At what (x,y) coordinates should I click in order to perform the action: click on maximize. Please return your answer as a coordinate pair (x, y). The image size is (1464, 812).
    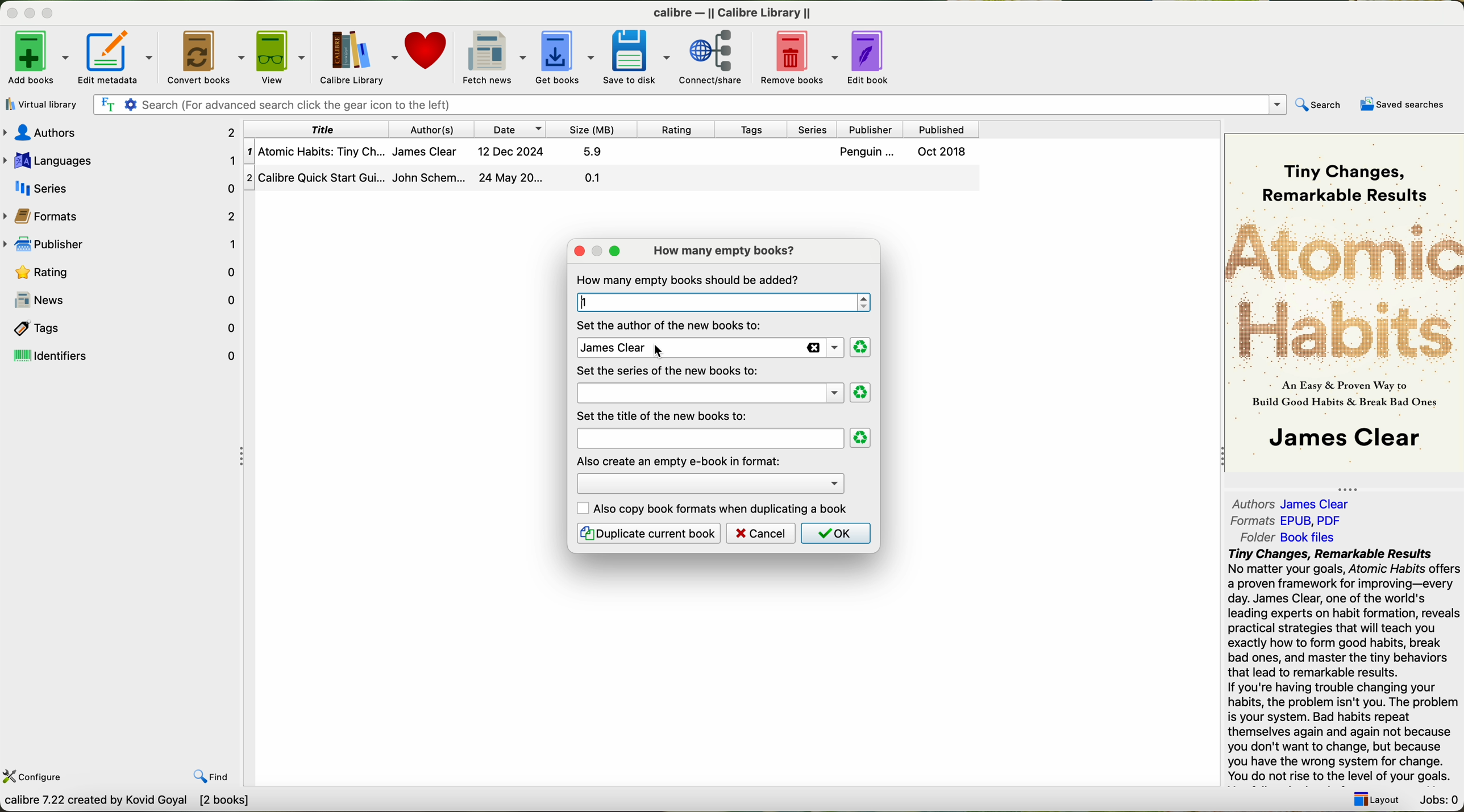
    Looking at the image, I should click on (615, 252).